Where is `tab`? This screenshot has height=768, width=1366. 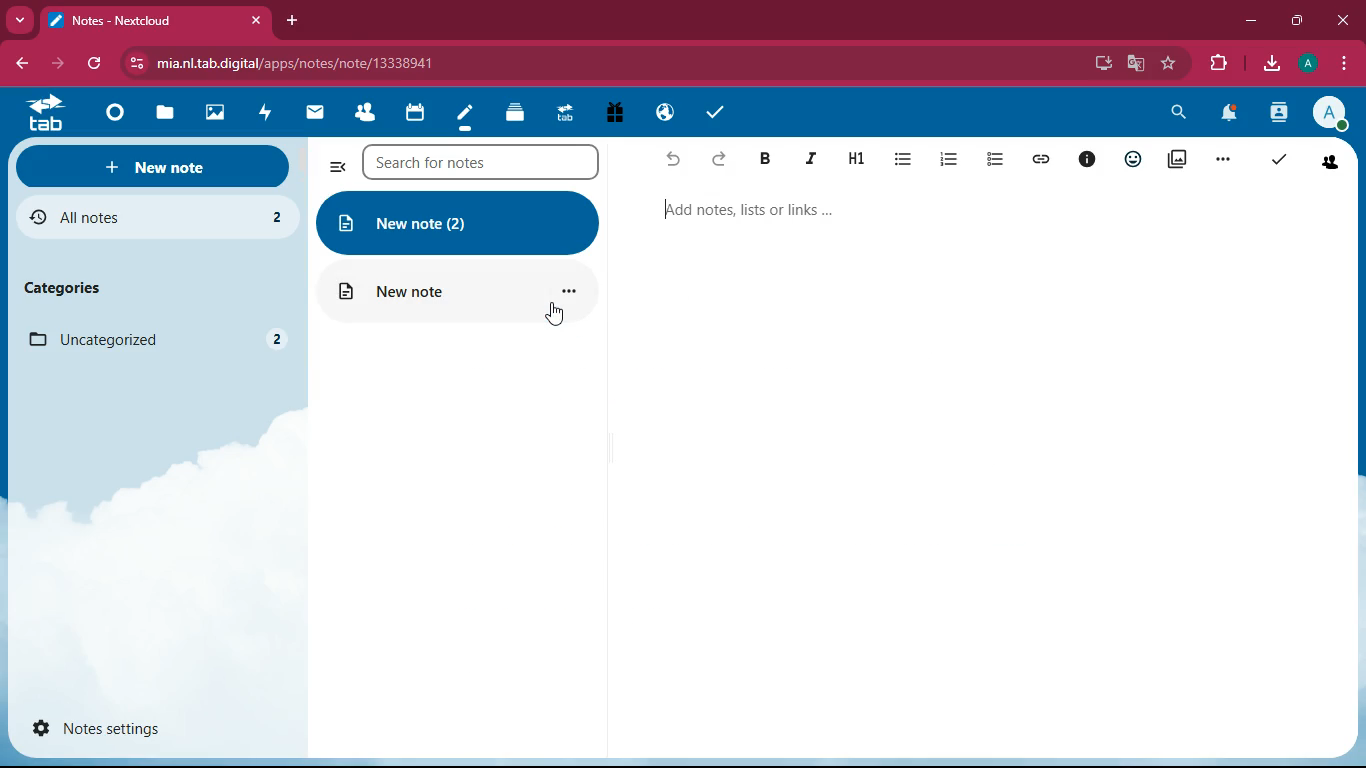 tab is located at coordinates (138, 21).